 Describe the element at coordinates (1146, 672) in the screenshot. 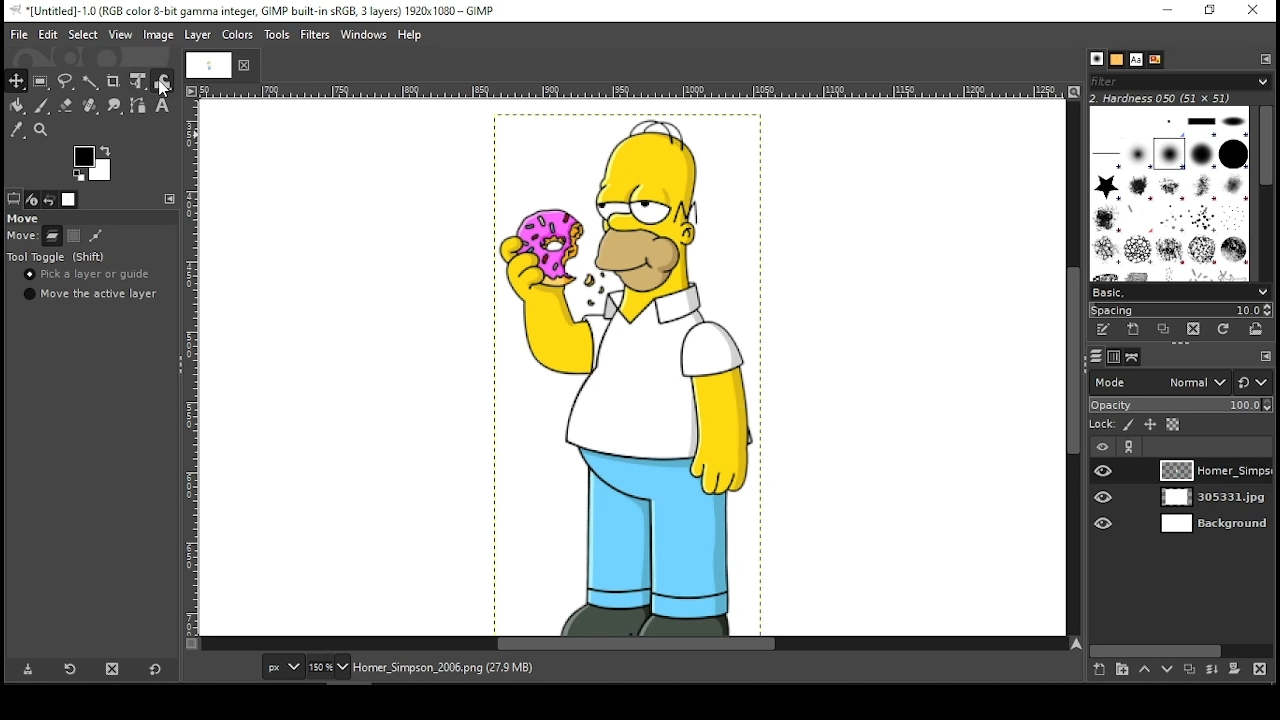

I see `move layer one step up` at that location.